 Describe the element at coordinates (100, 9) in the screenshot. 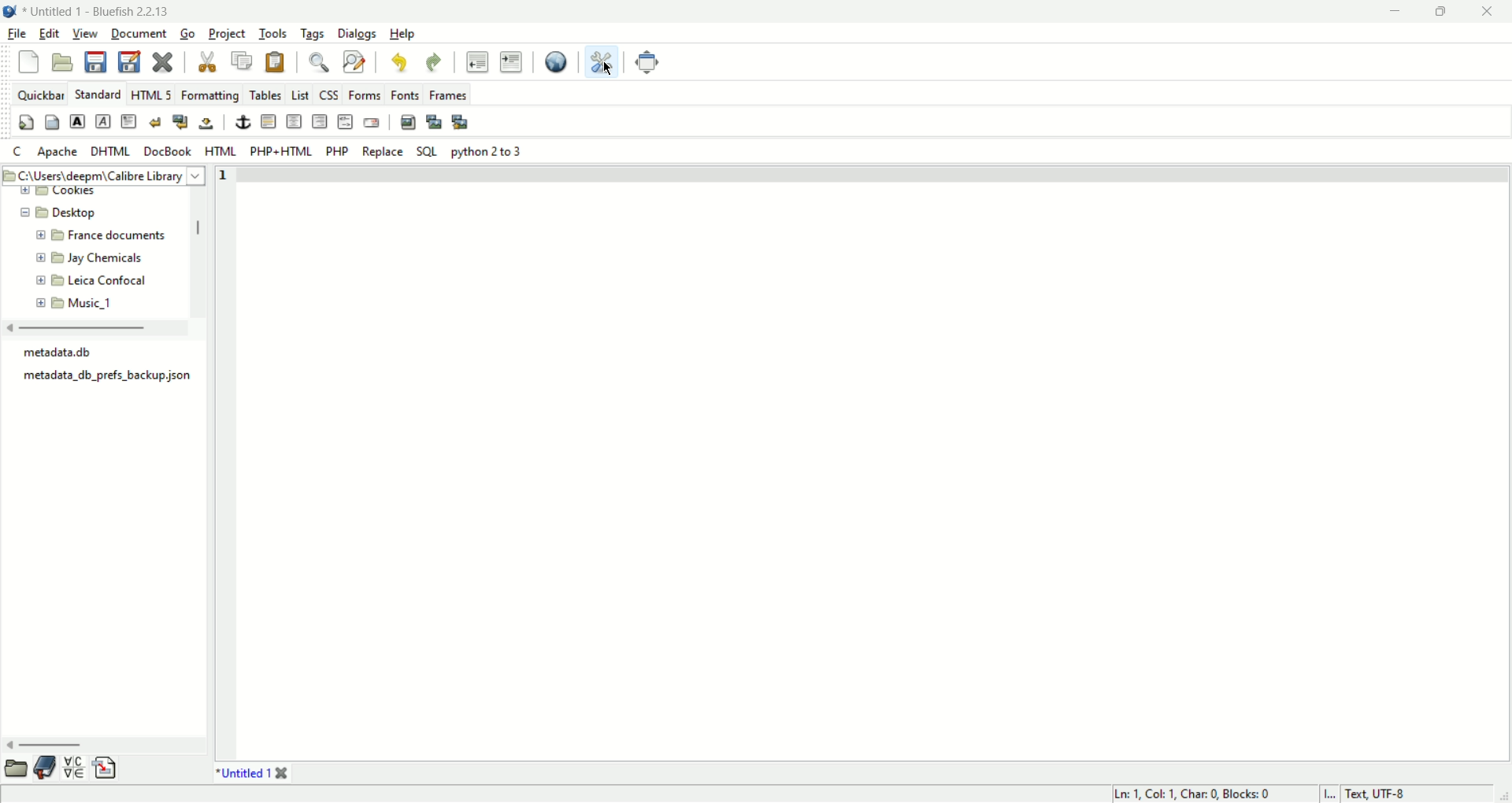

I see `Untitled 1 - Bluefish 2.2.13` at that location.